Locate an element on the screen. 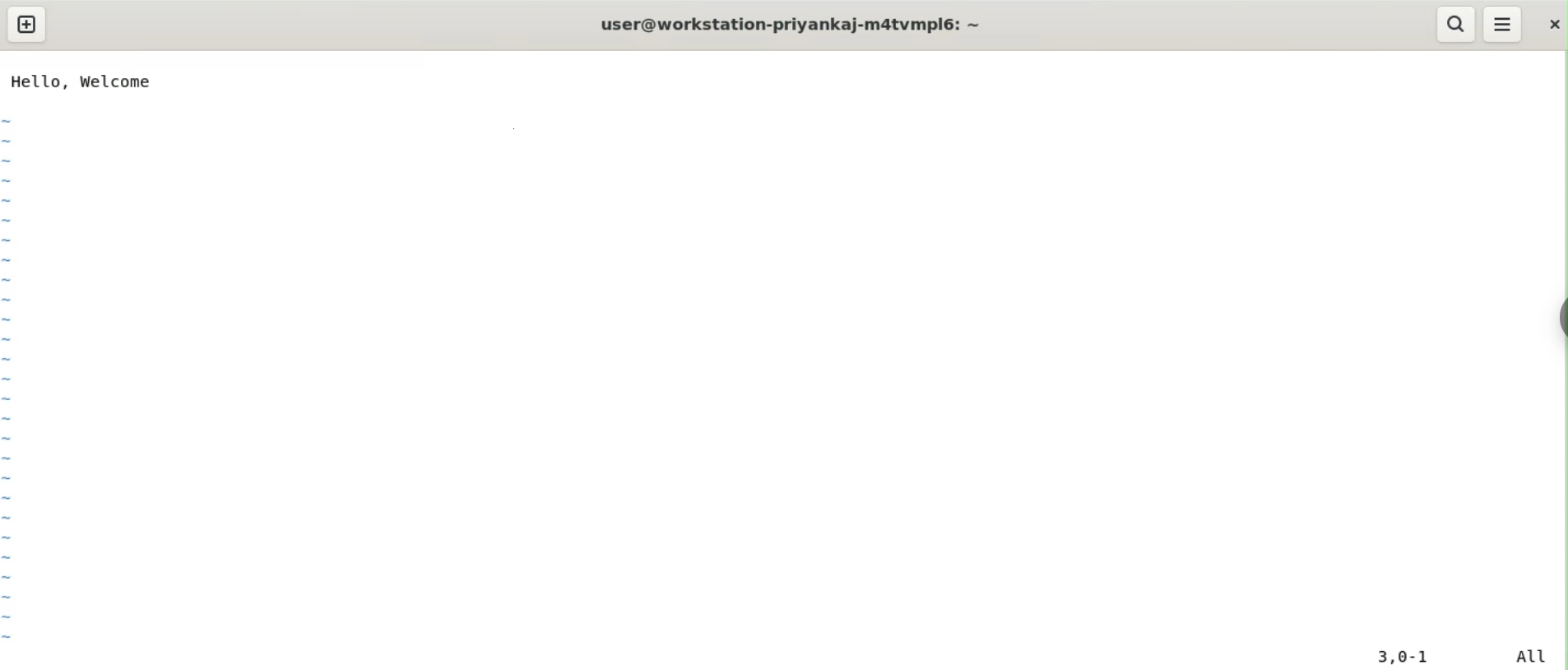 The image size is (1568, 670). 3,0-1 is located at coordinates (1411, 658).